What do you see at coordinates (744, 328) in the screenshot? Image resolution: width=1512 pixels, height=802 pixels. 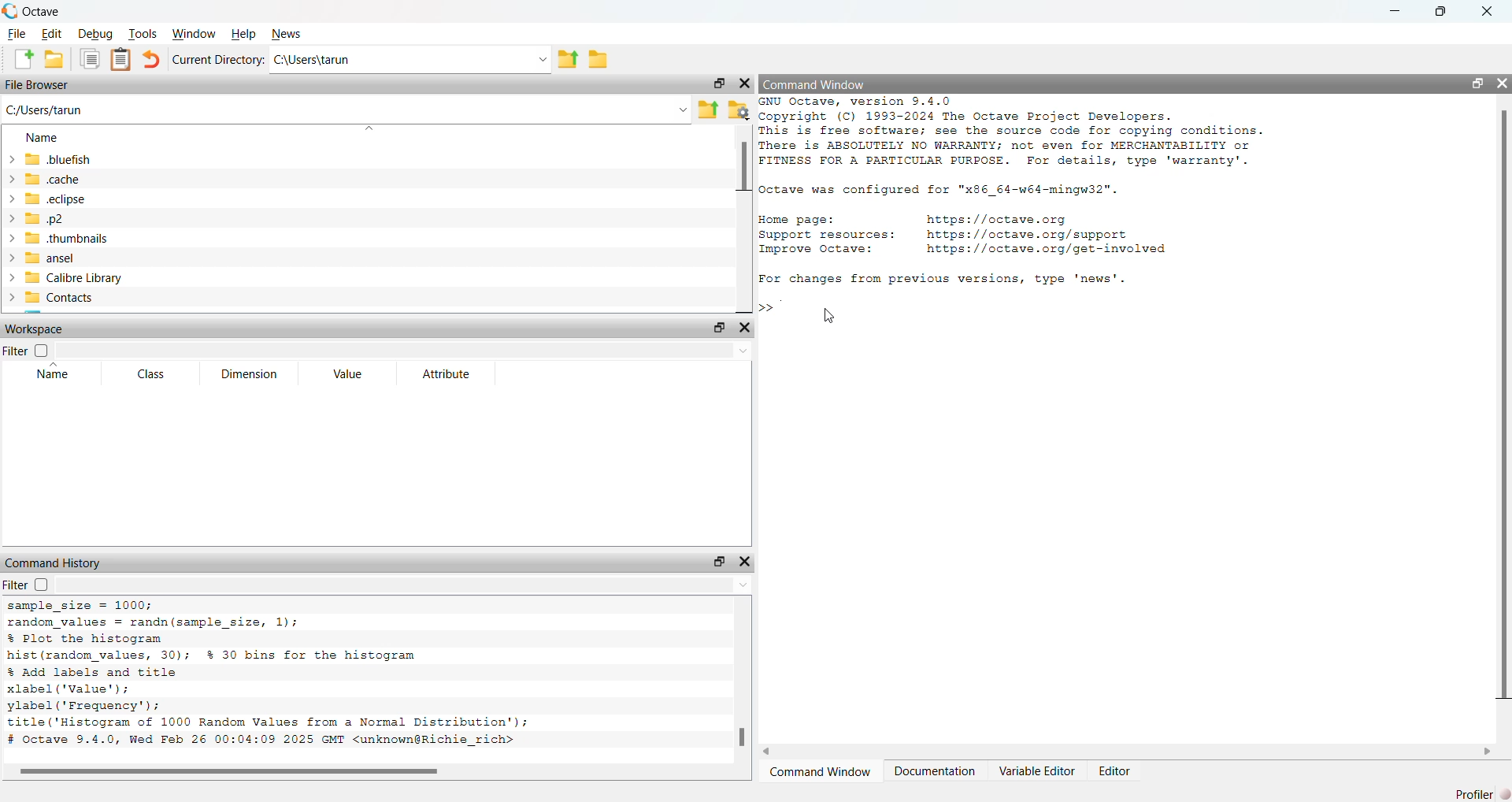 I see `close` at bounding box center [744, 328].